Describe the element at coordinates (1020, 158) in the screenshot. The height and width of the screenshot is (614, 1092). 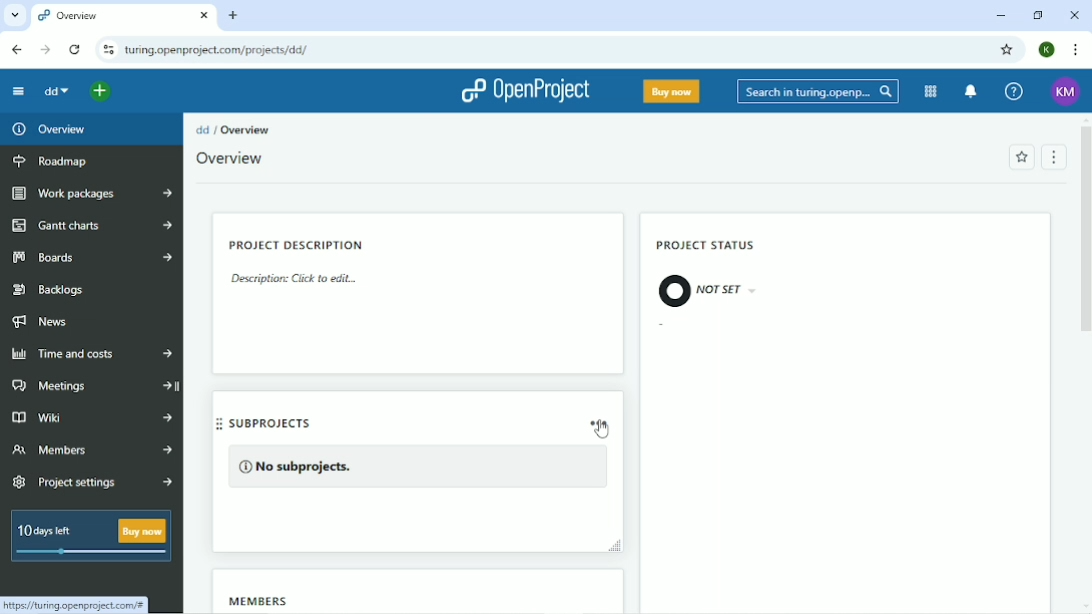
I see `Add to favorites` at that location.